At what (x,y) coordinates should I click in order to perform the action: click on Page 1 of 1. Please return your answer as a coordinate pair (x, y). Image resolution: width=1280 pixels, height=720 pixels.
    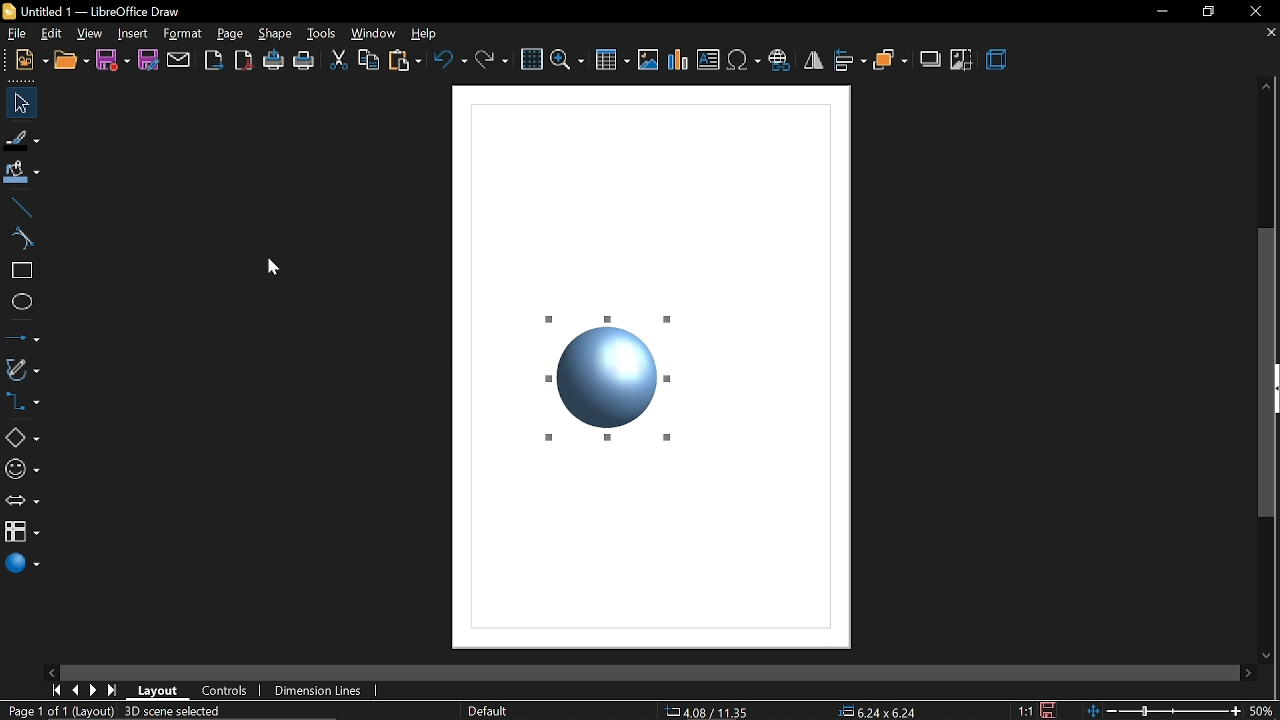
    Looking at the image, I should click on (35, 711).